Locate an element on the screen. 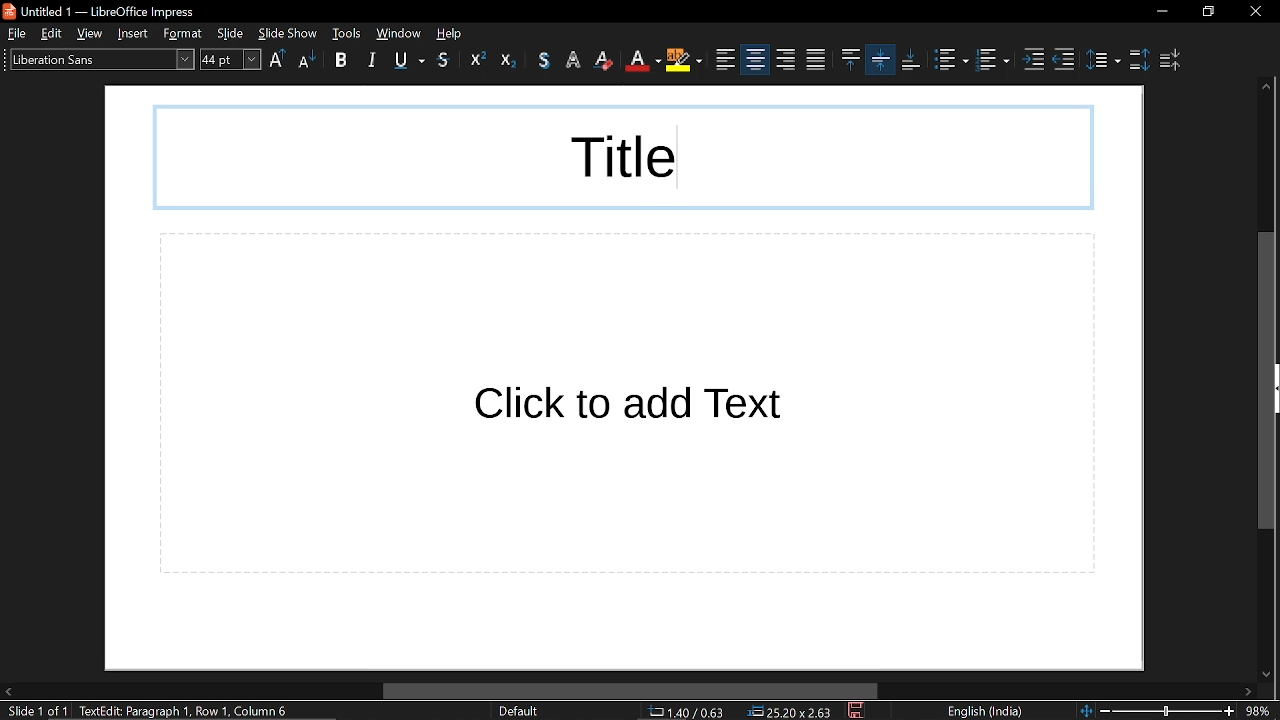 The image size is (1280, 720). move right is located at coordinates (1247, 692).